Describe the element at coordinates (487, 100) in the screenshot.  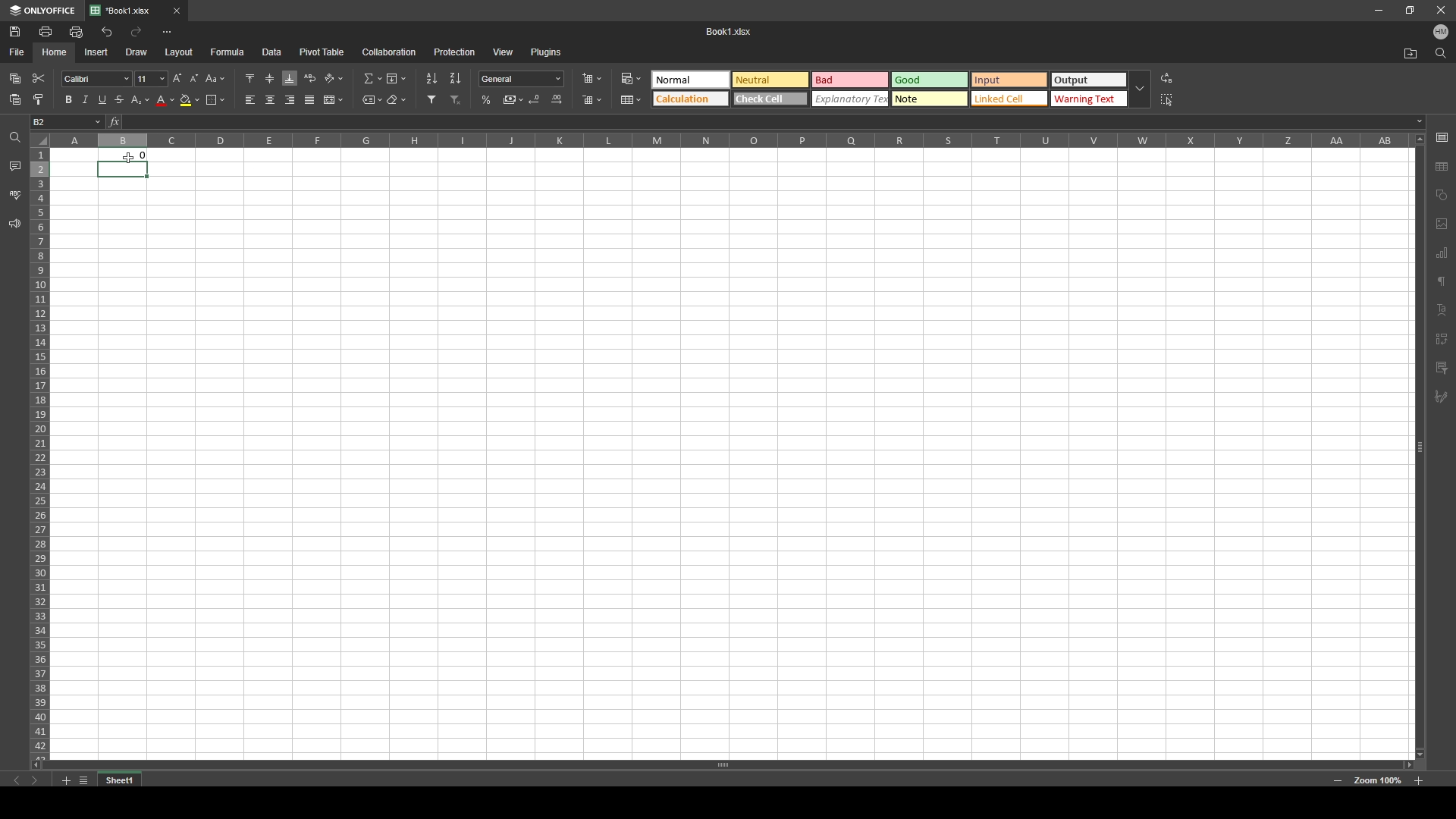
I see `percentage style` at that location.